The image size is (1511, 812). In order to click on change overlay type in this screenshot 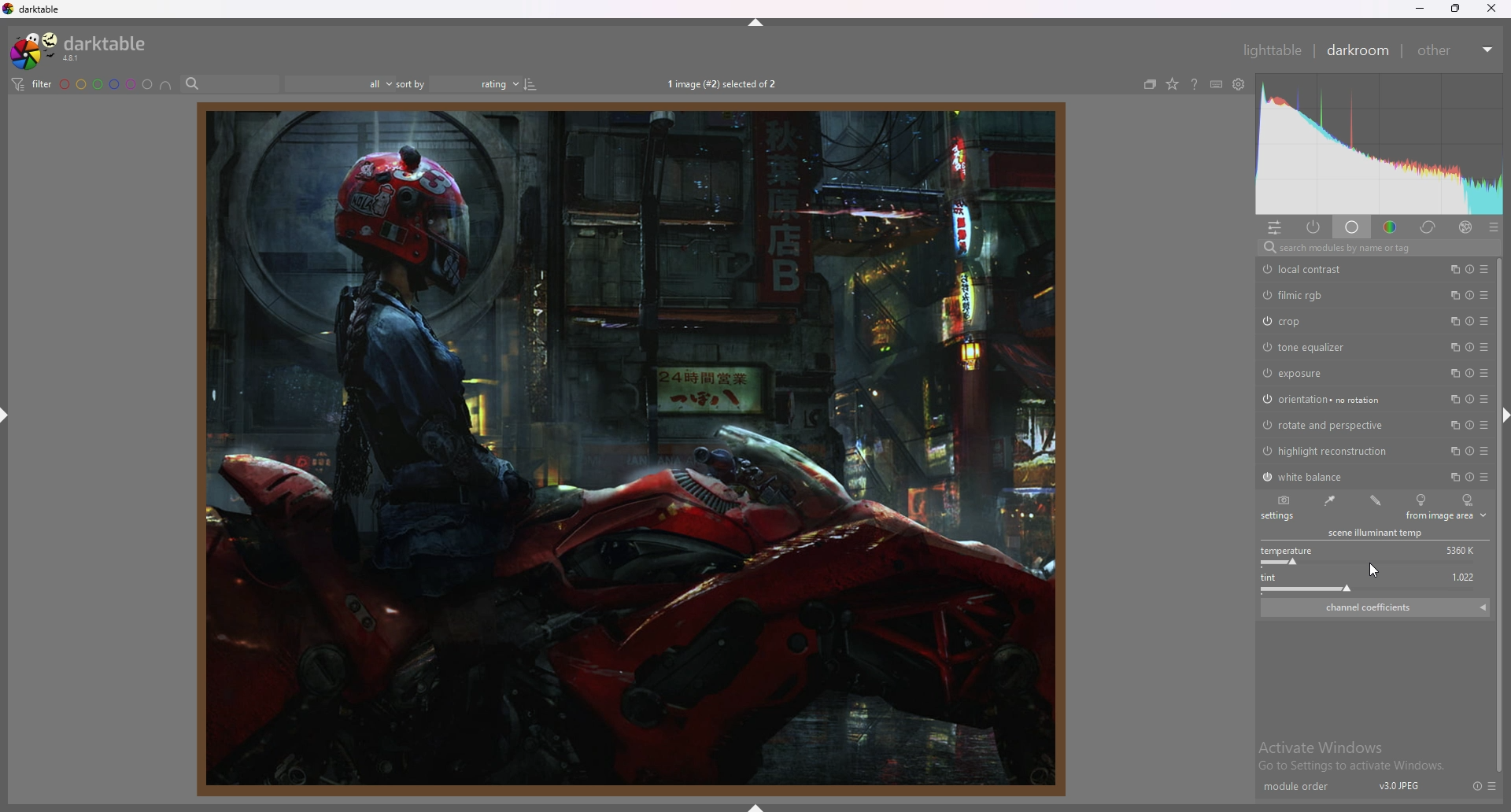, I will do `click(1172, 85)`.